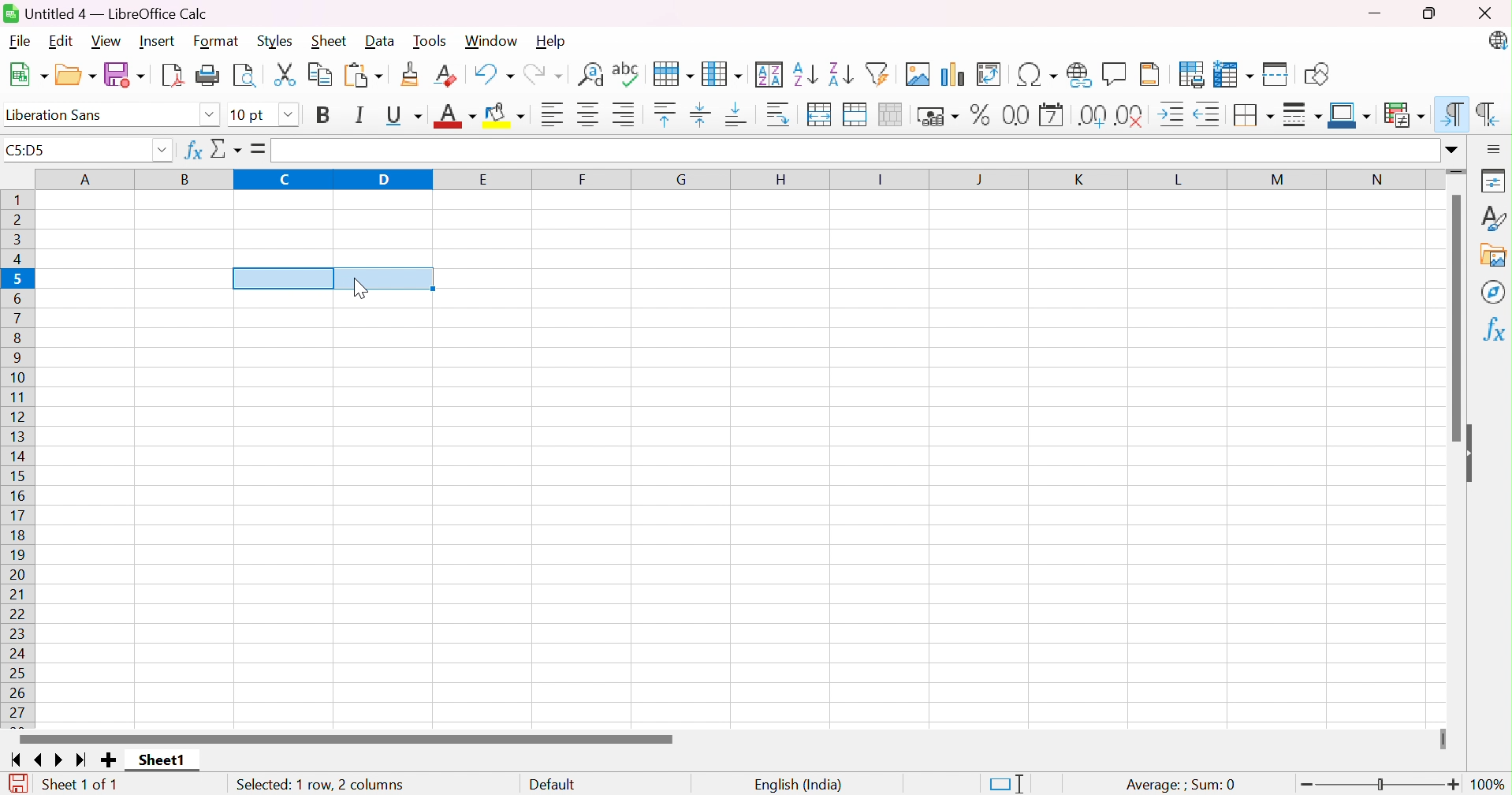 The width and height of the screenshot is (1512, 795). Describe the element at coordinates (1488, 784) in the screenshot. I see `100%` at that location.